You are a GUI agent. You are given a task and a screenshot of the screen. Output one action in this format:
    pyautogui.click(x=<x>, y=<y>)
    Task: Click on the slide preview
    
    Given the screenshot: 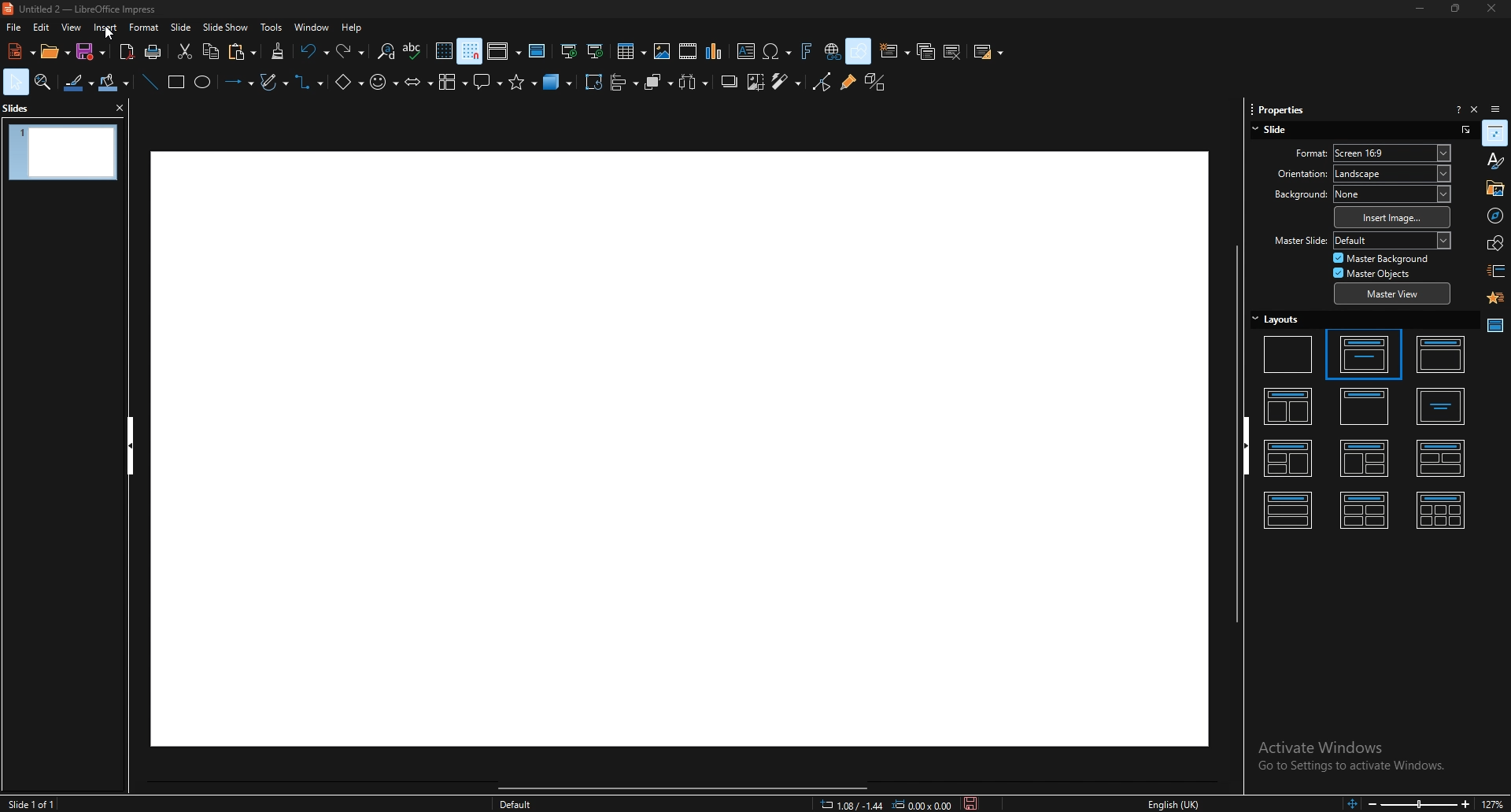 What is the action you would take?
    pyautogui.click(x=63, y=153)
    